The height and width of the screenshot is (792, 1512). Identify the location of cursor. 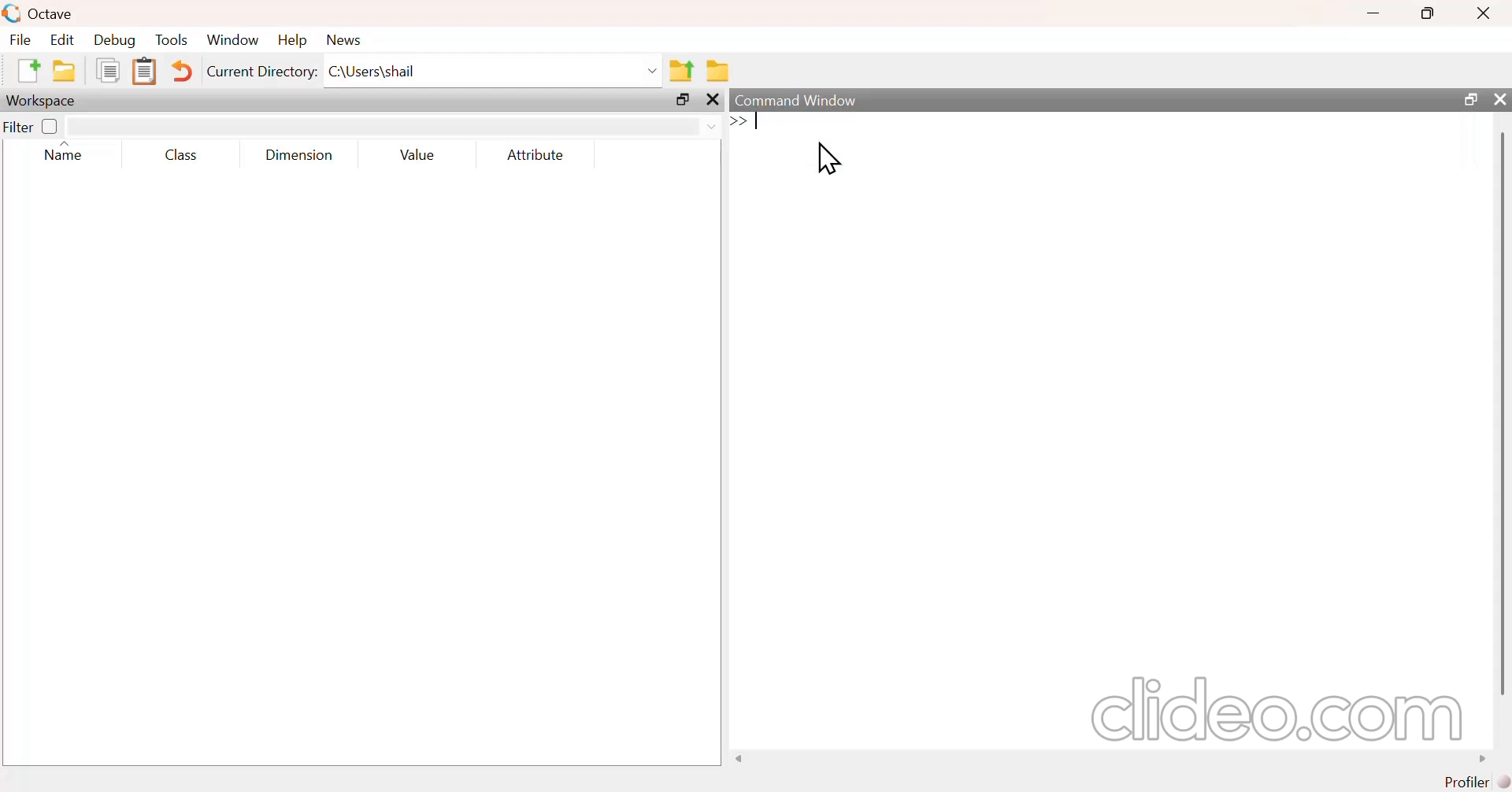
(827, 160).